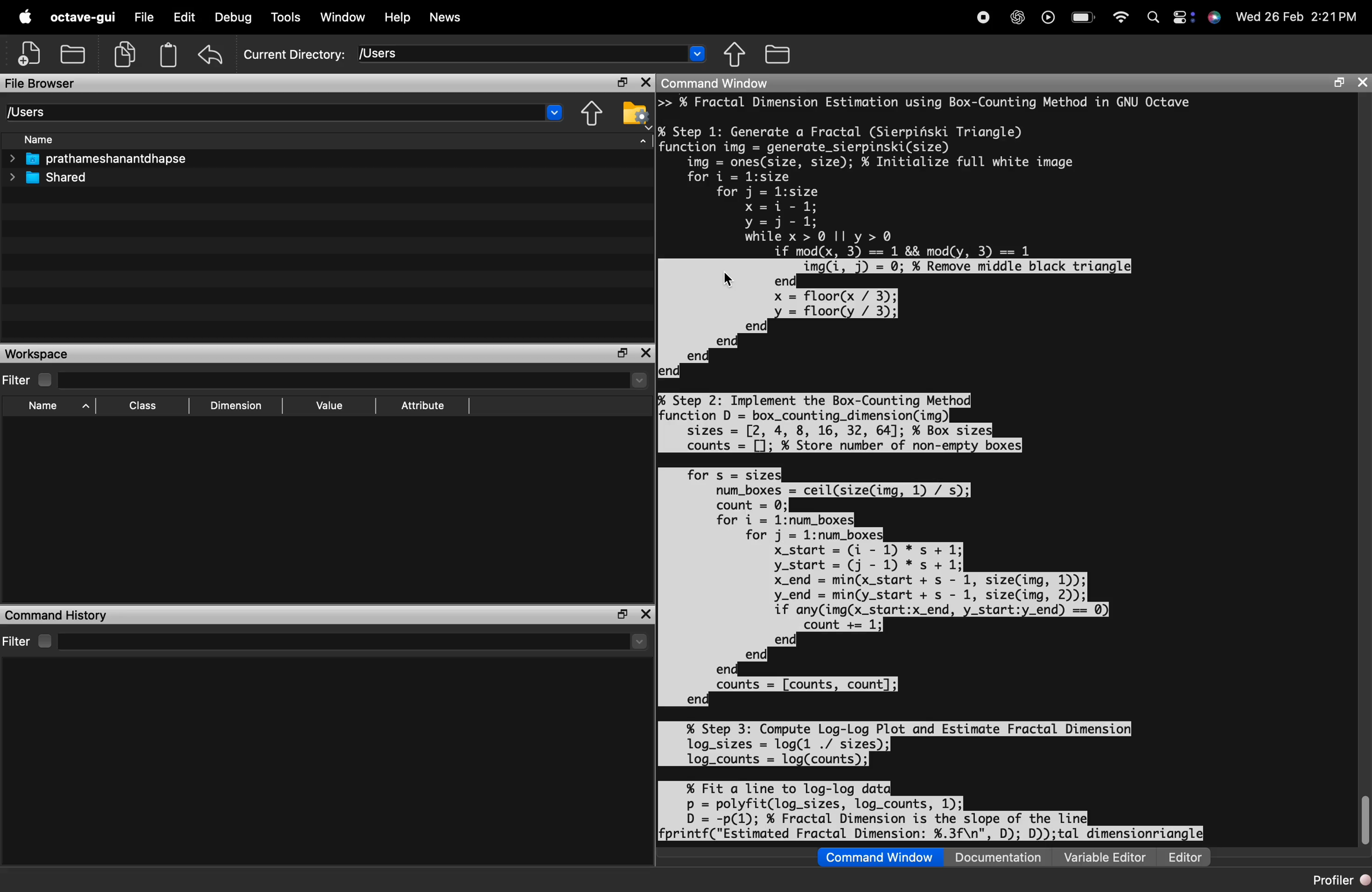  I want to click on [Users, so click(267, 112).